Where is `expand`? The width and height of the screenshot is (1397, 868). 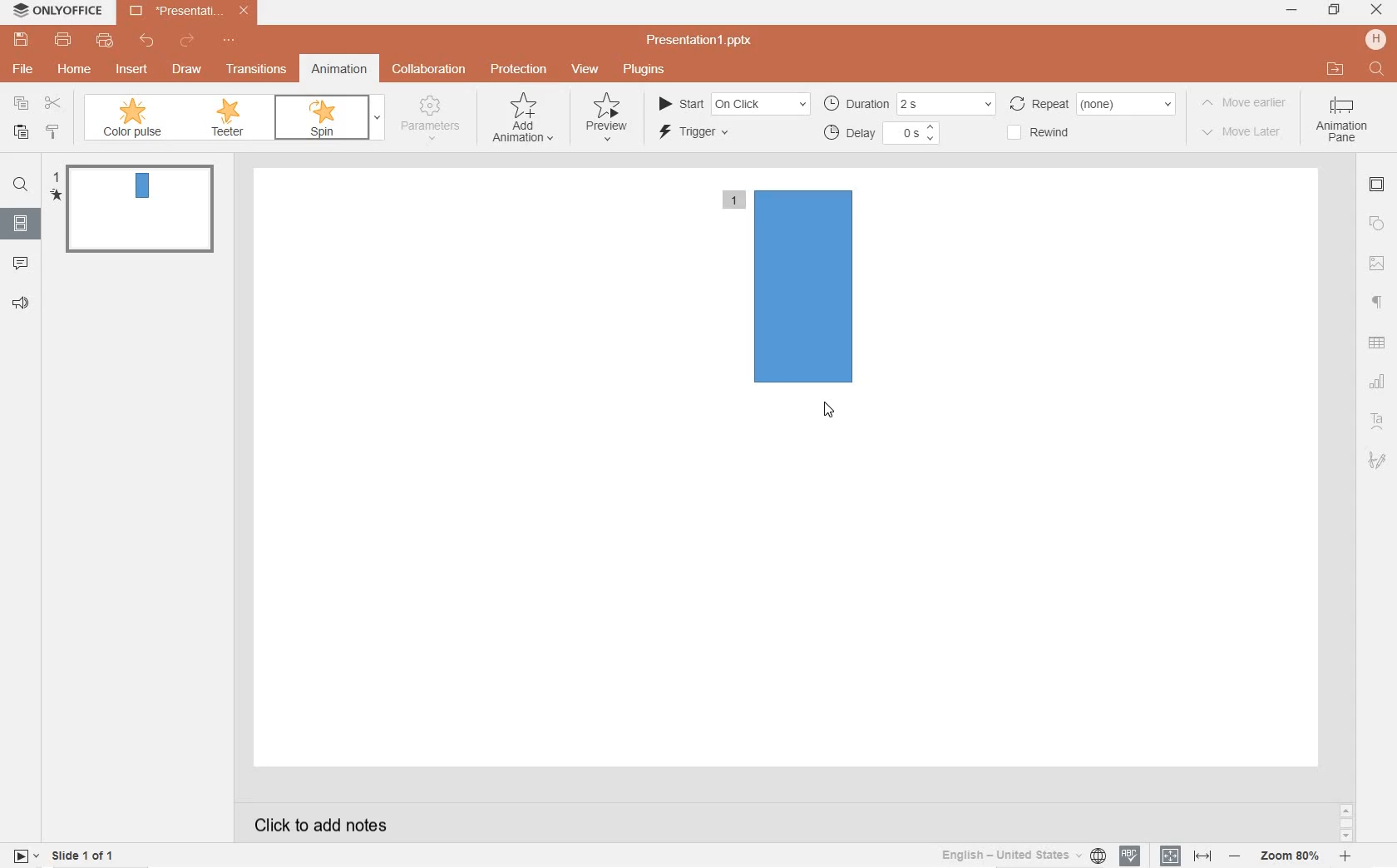 expand is located at coordinates (377, 119).